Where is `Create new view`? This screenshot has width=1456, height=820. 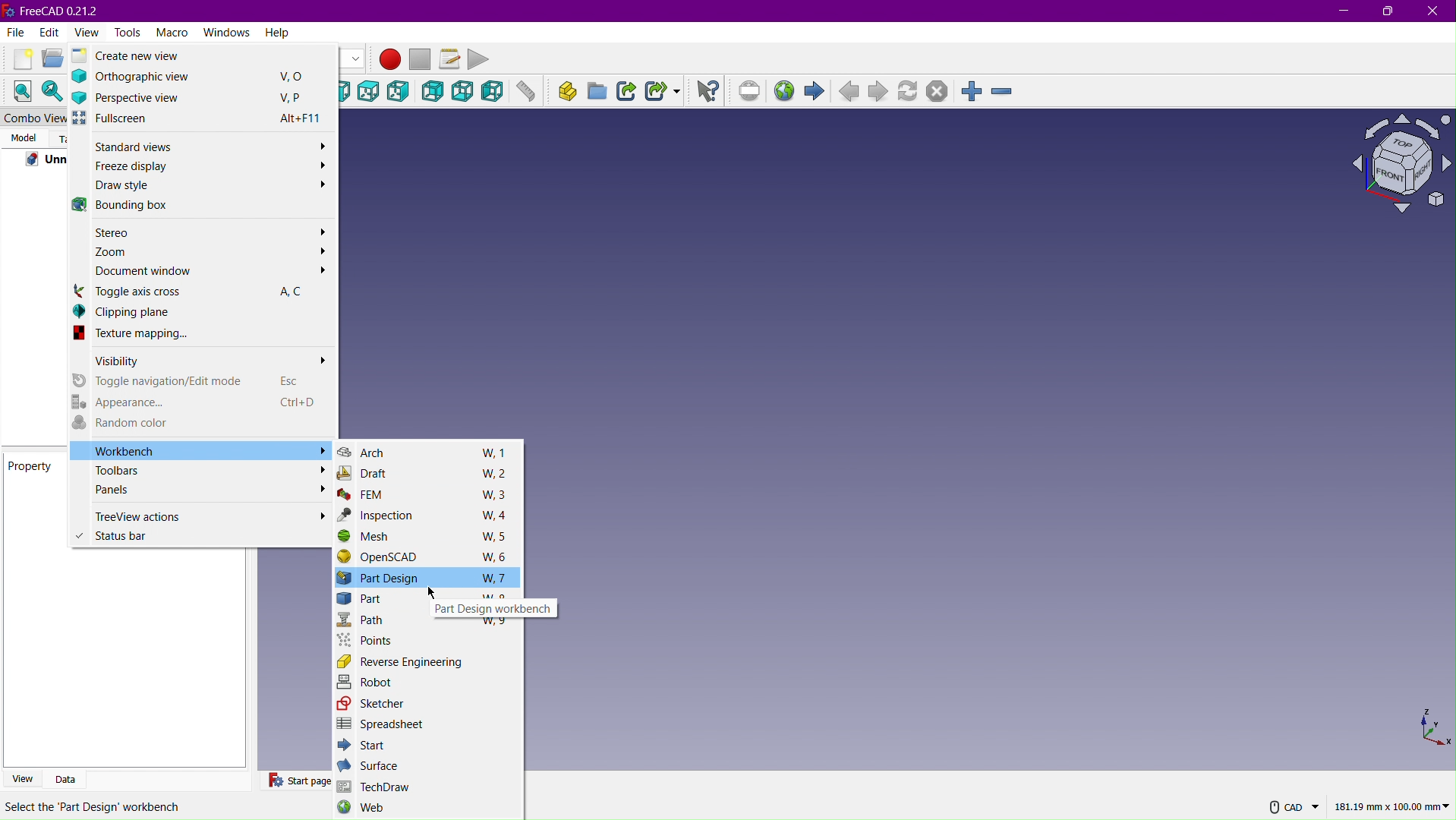
Create new view is located at coordinates (141, 54).